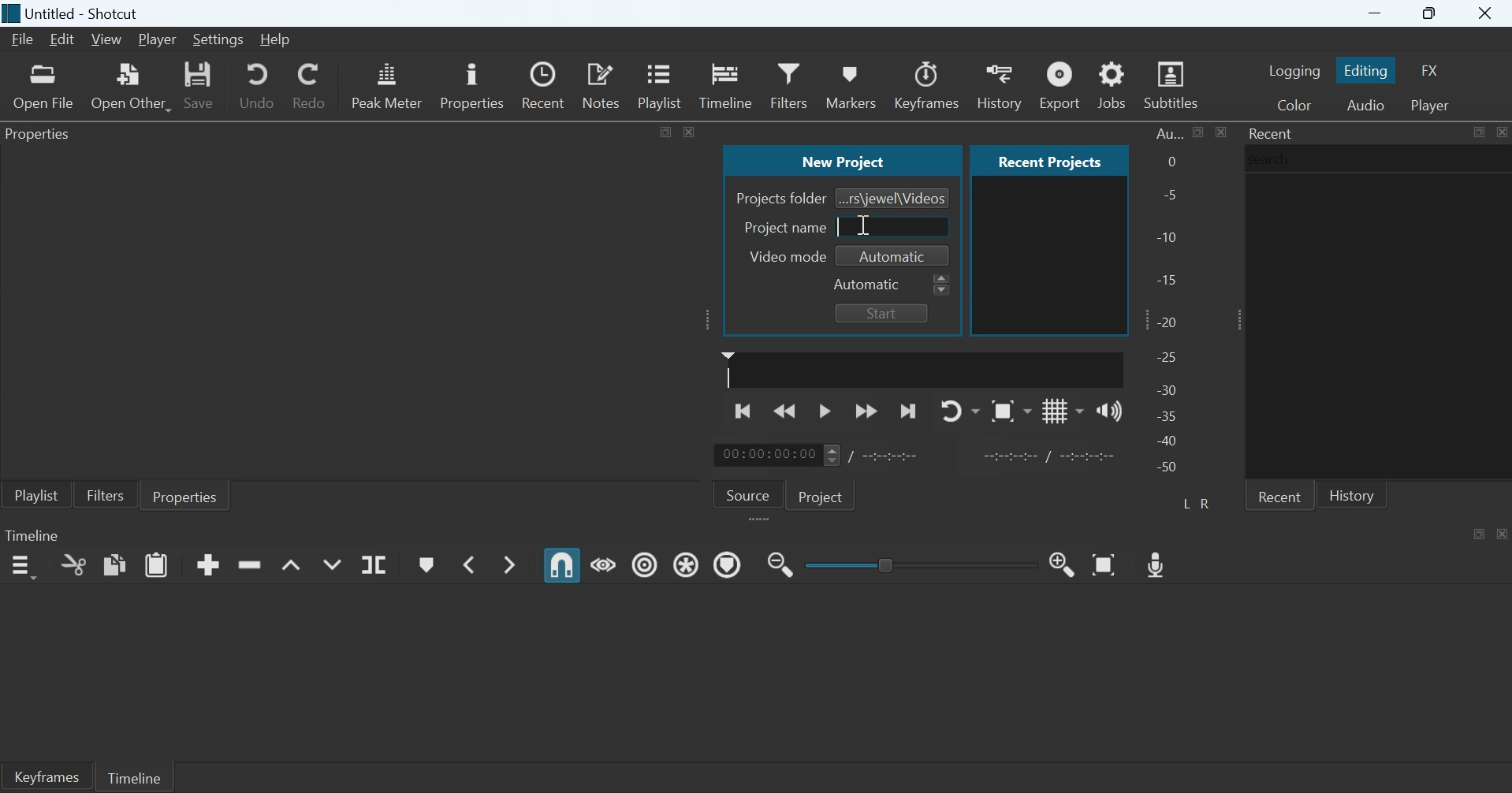  Describe the element at coordinates (785, 227) in the screenshot. I see `Project name` at that location.